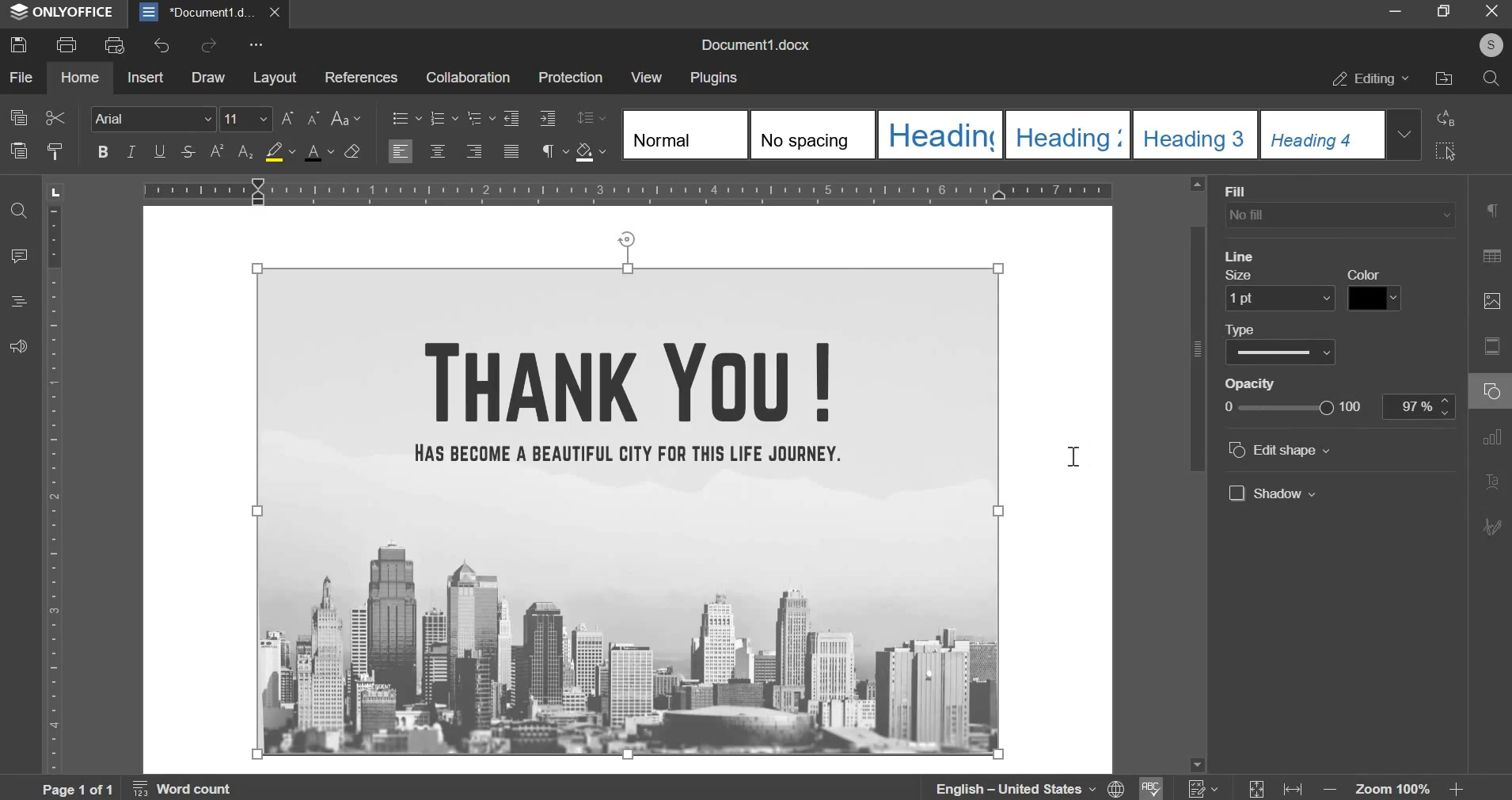  Describe the element at coordinates (1391, 215) in the screenshot. I see `line spacing distance` at that location.